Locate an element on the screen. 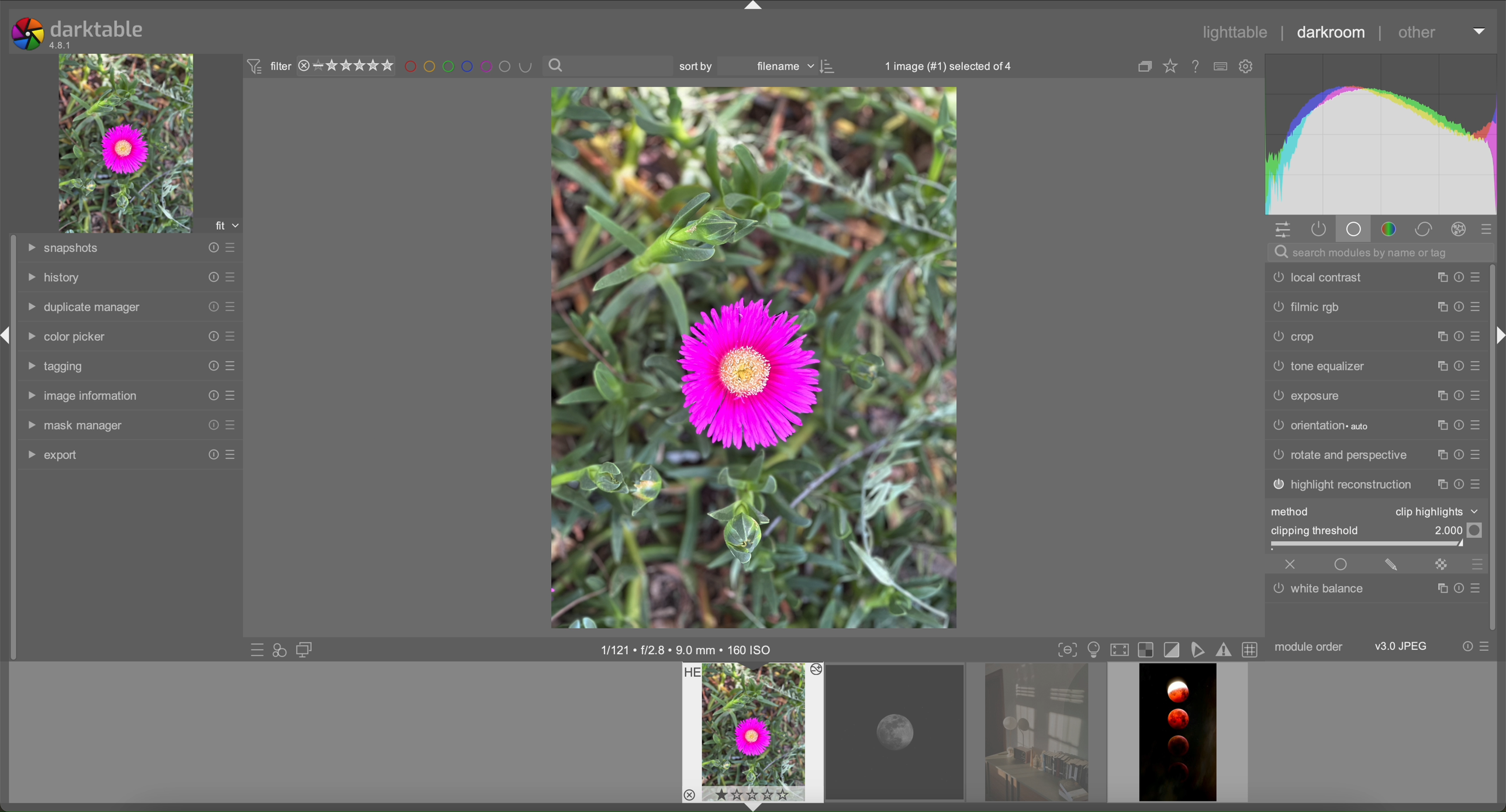  clip highlights is located at coordinates (1434, 511).